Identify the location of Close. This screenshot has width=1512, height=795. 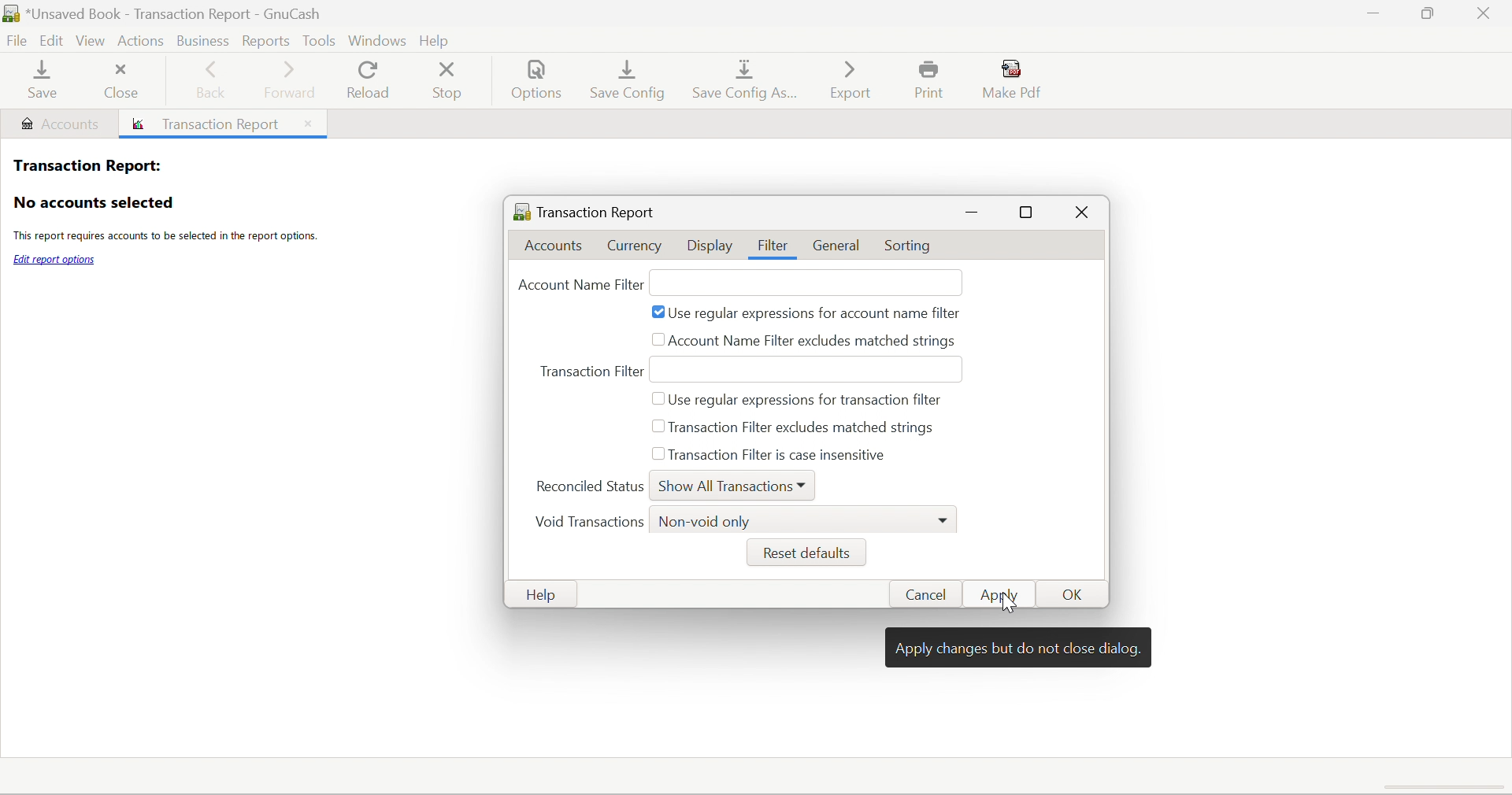
(121, 79).